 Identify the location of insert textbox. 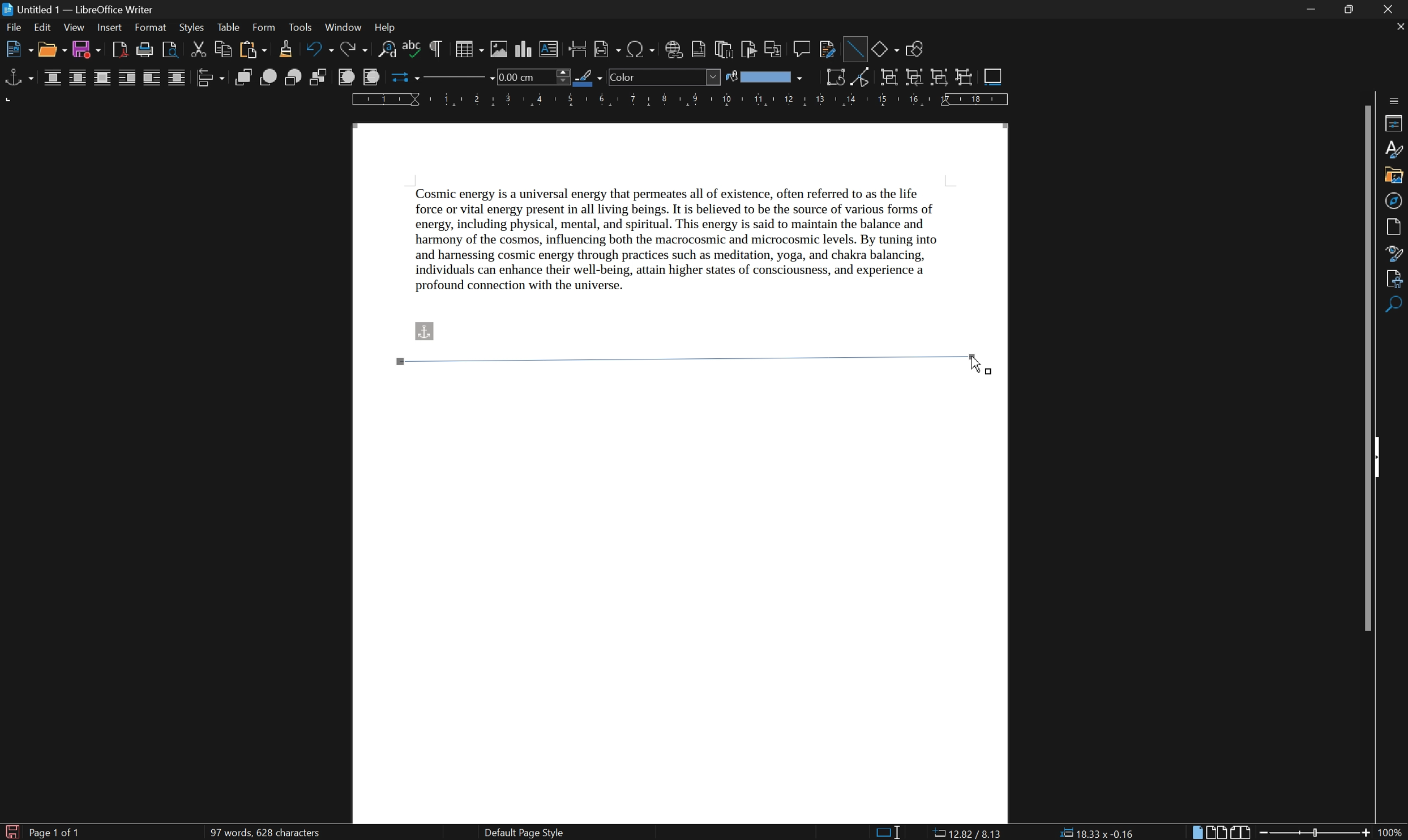
(549, 48).